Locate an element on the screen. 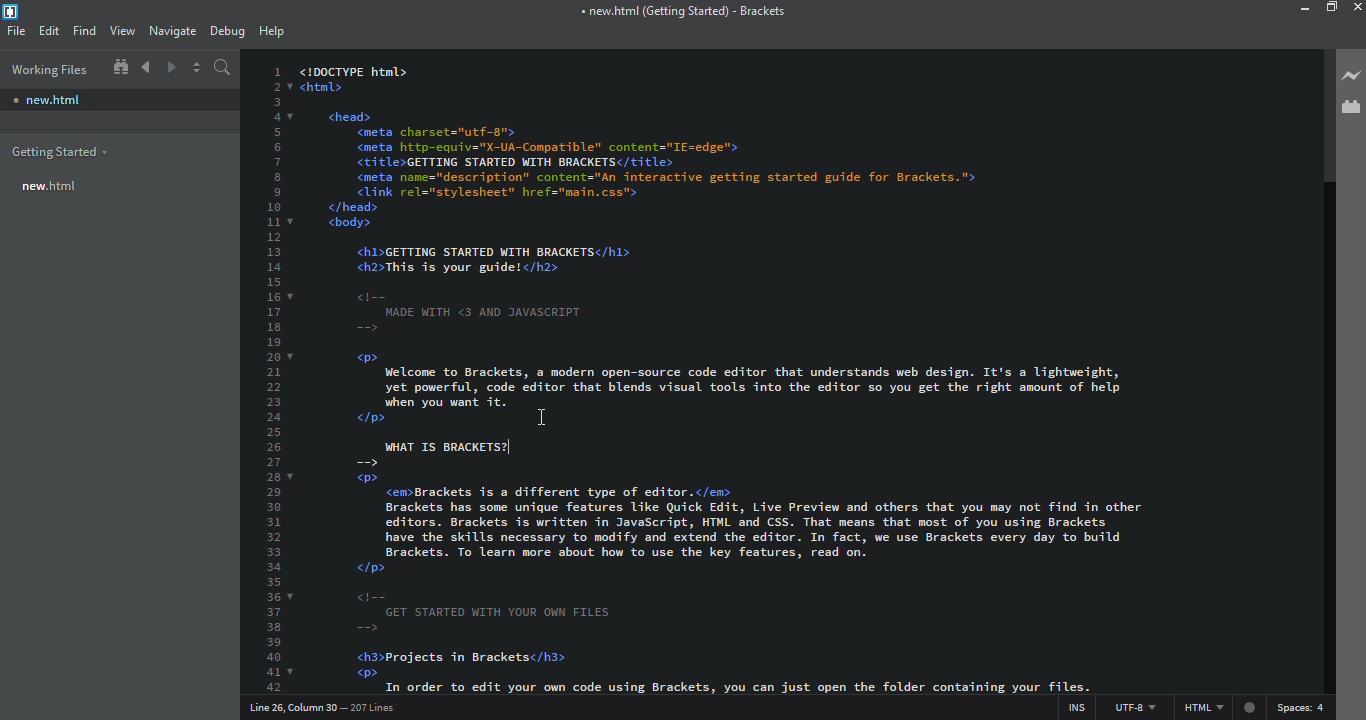  search is located at coordinates (224, 69).